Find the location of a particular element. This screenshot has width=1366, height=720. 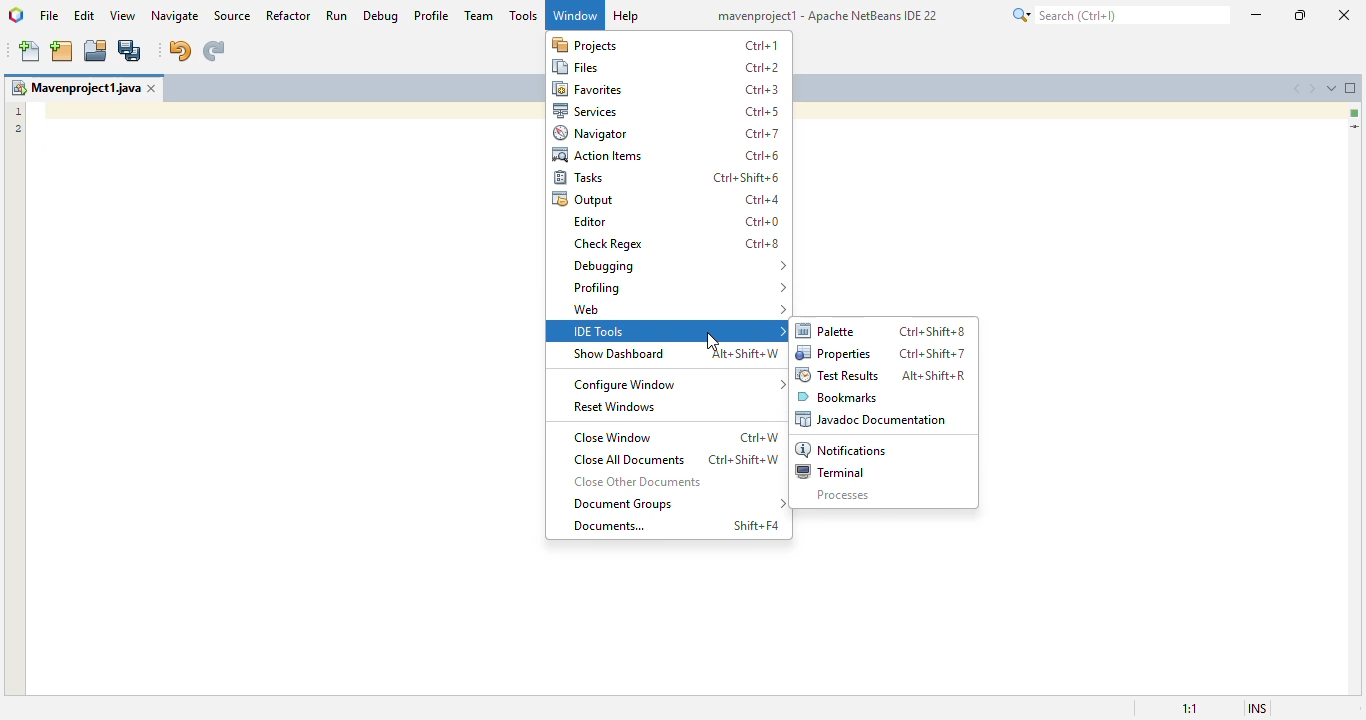

maximize is located at coordinates (1300, 15).